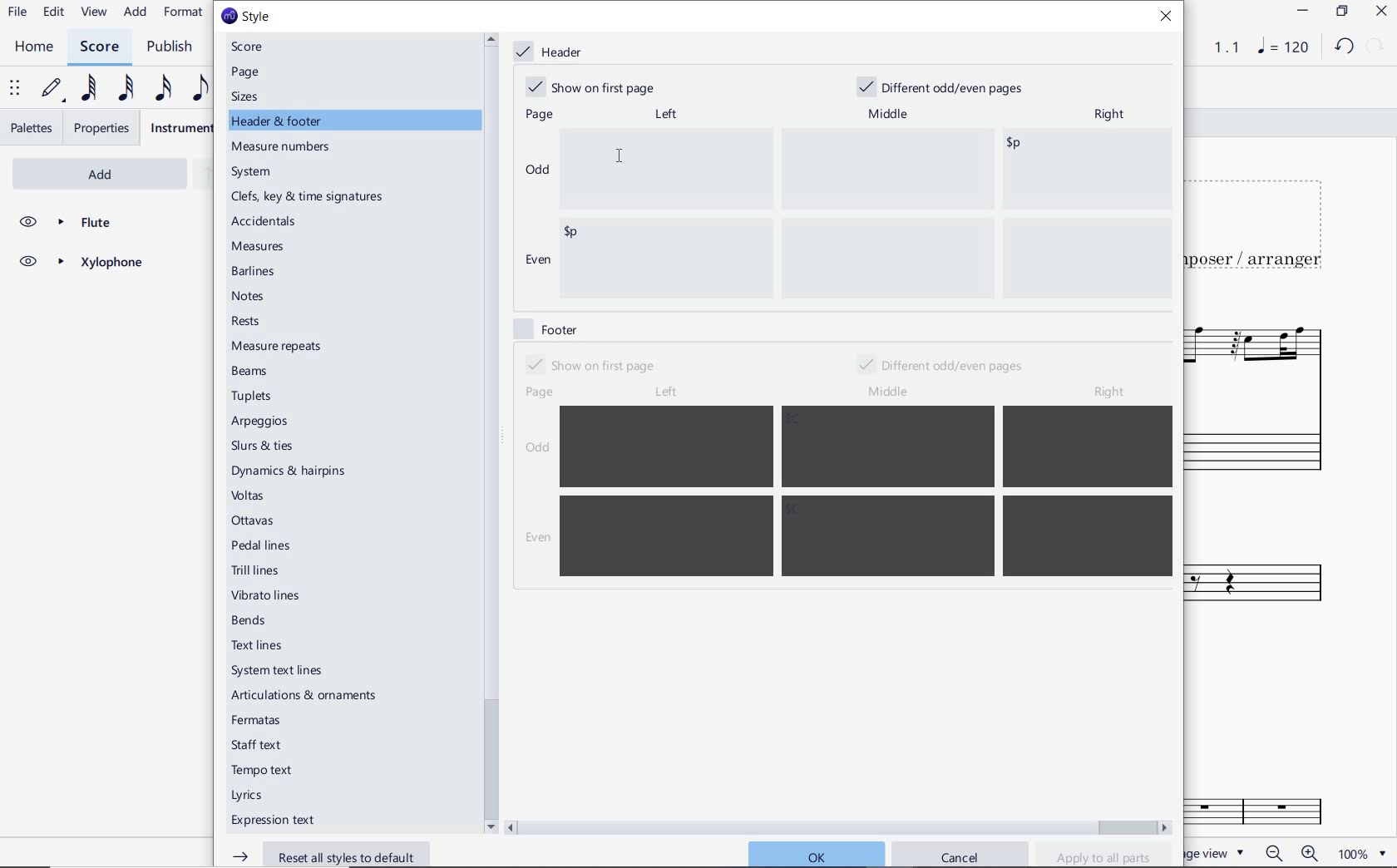 This screenshot has width=1397, height=868. Describe the element at coordinates (839, 826) in the screenshot. I see `scrollbar` at that location.